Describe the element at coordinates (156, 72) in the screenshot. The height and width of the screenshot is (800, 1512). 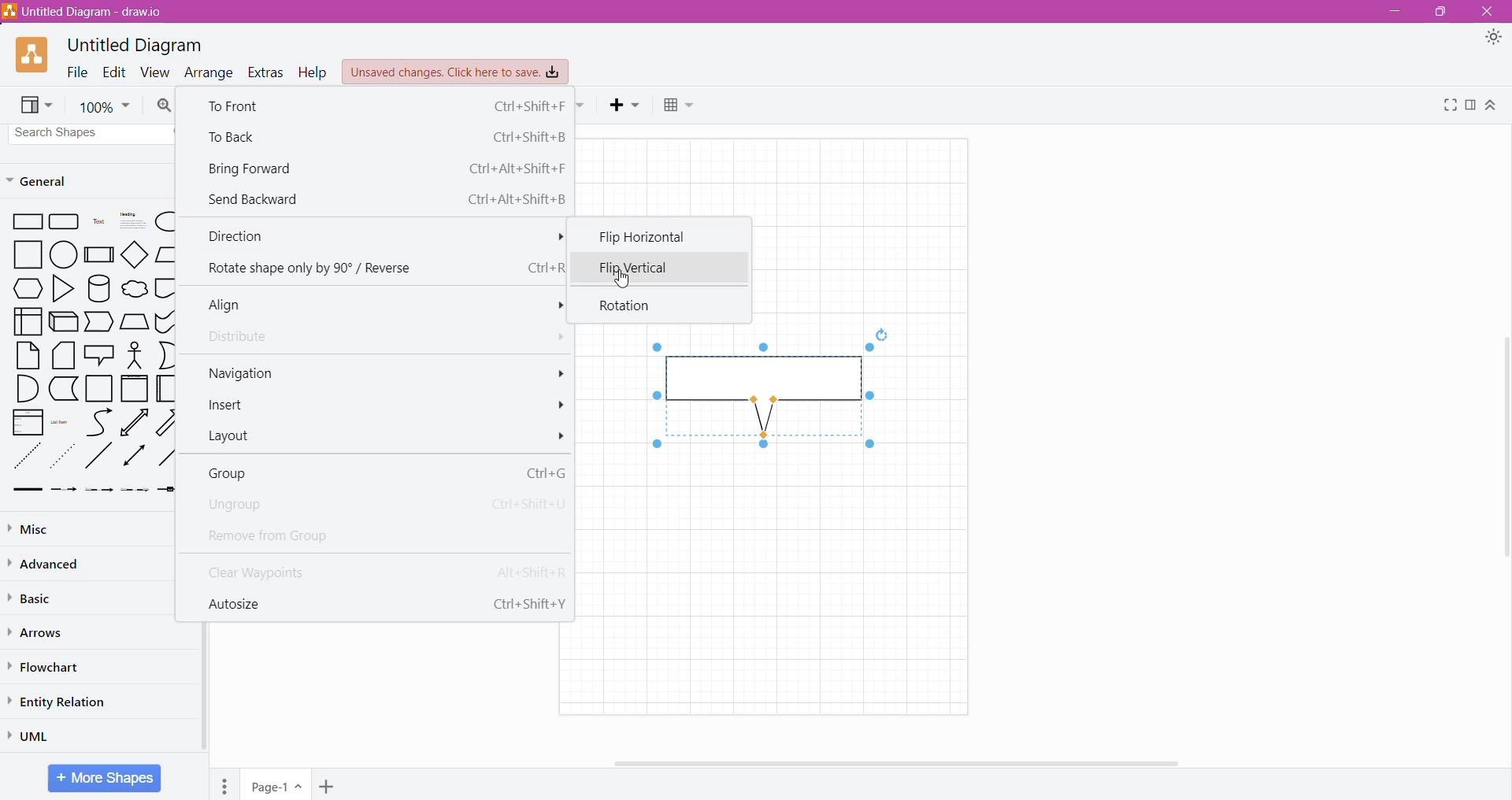
I see `View` at that location.